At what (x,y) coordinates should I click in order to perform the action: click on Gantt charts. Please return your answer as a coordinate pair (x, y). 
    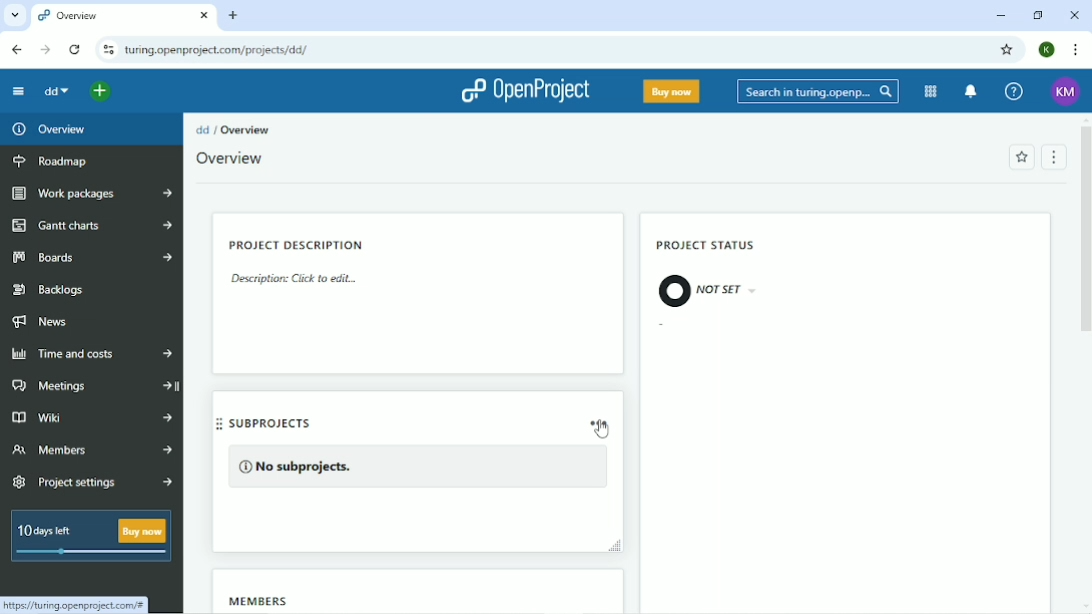
    Looking at the image, I should click on (91, 225).